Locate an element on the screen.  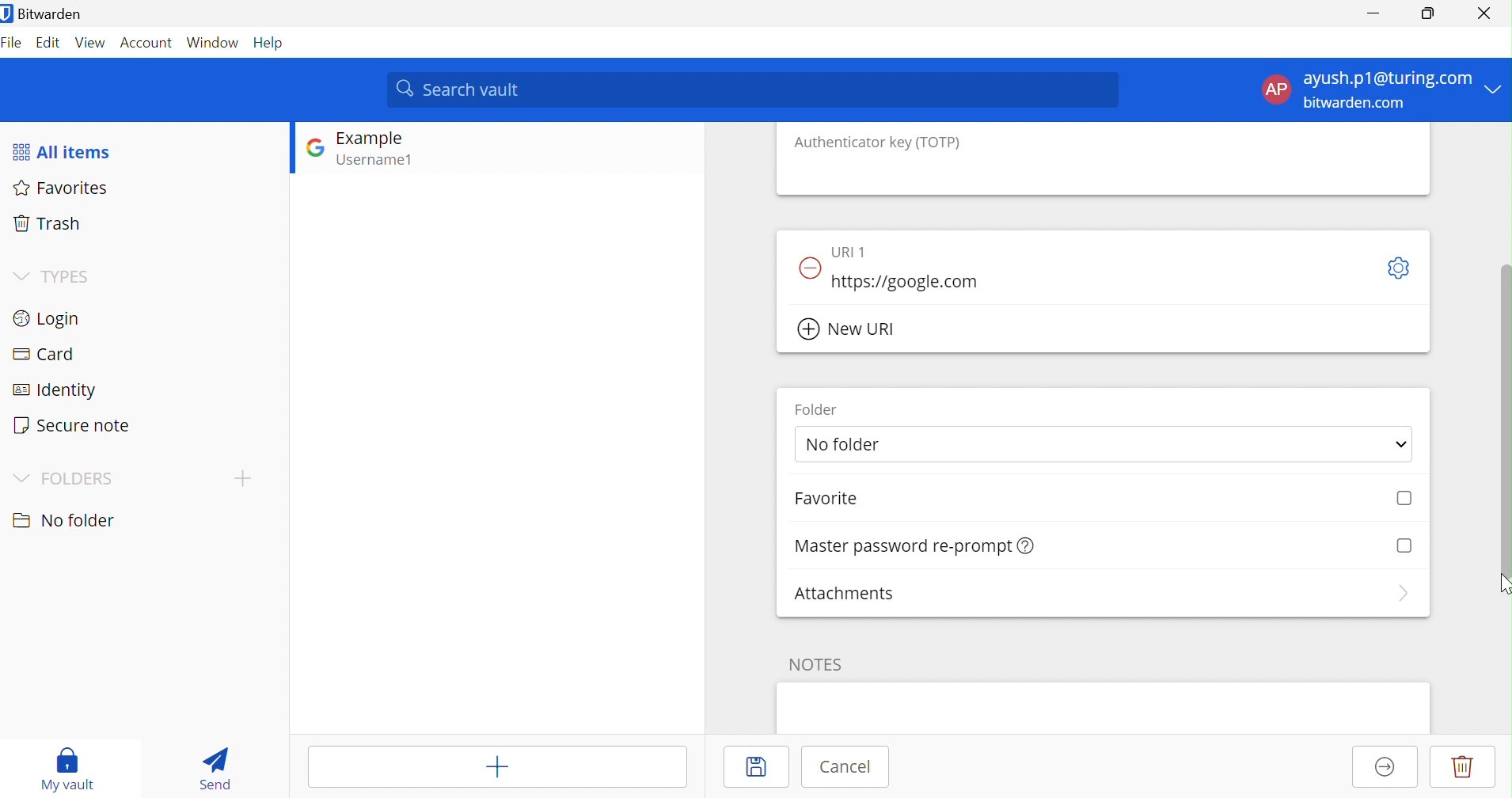
Add item is located at coordinates (496, 765).